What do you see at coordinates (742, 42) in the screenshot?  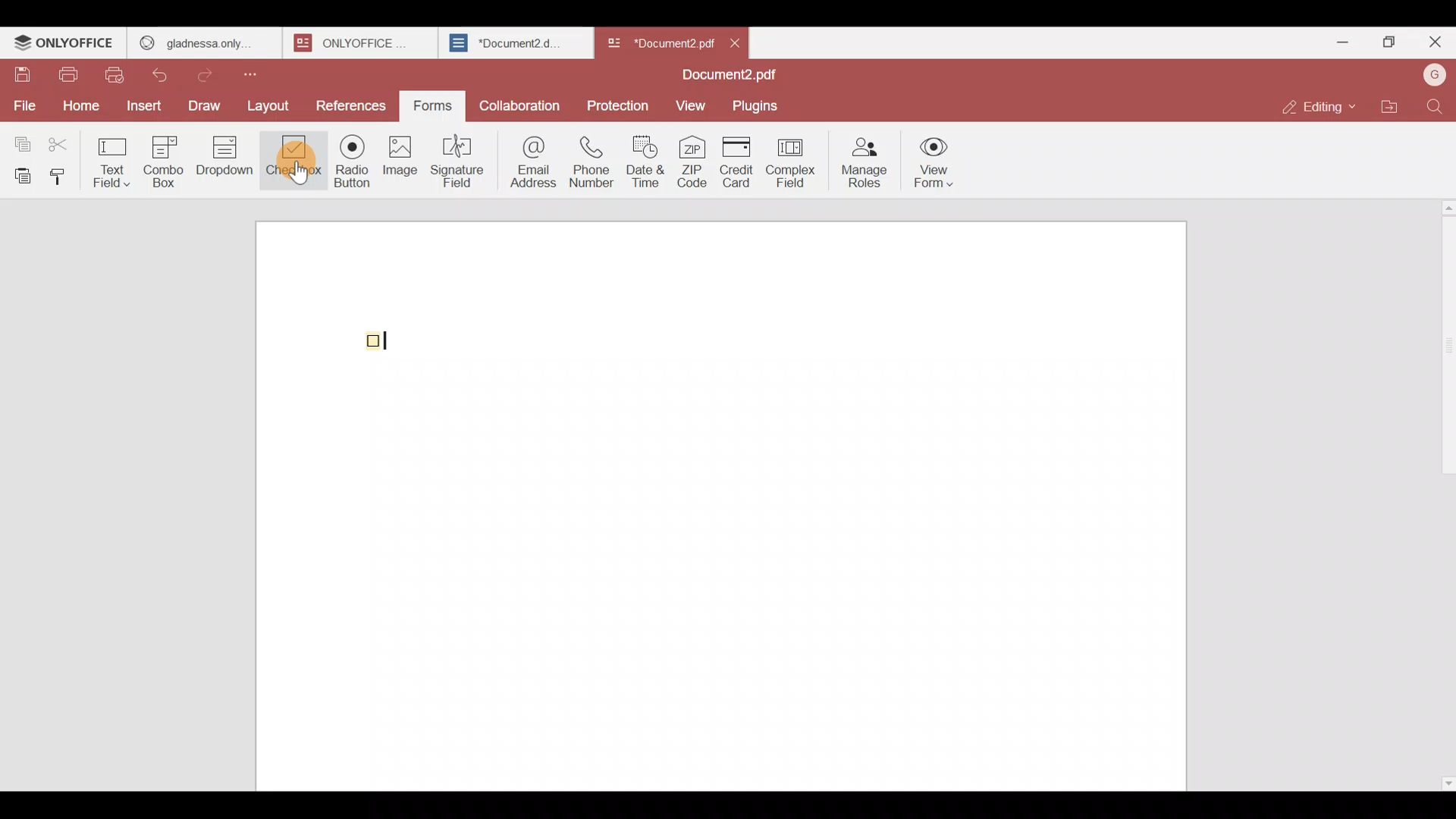 I see `Close` at bounding box center [742, 42].